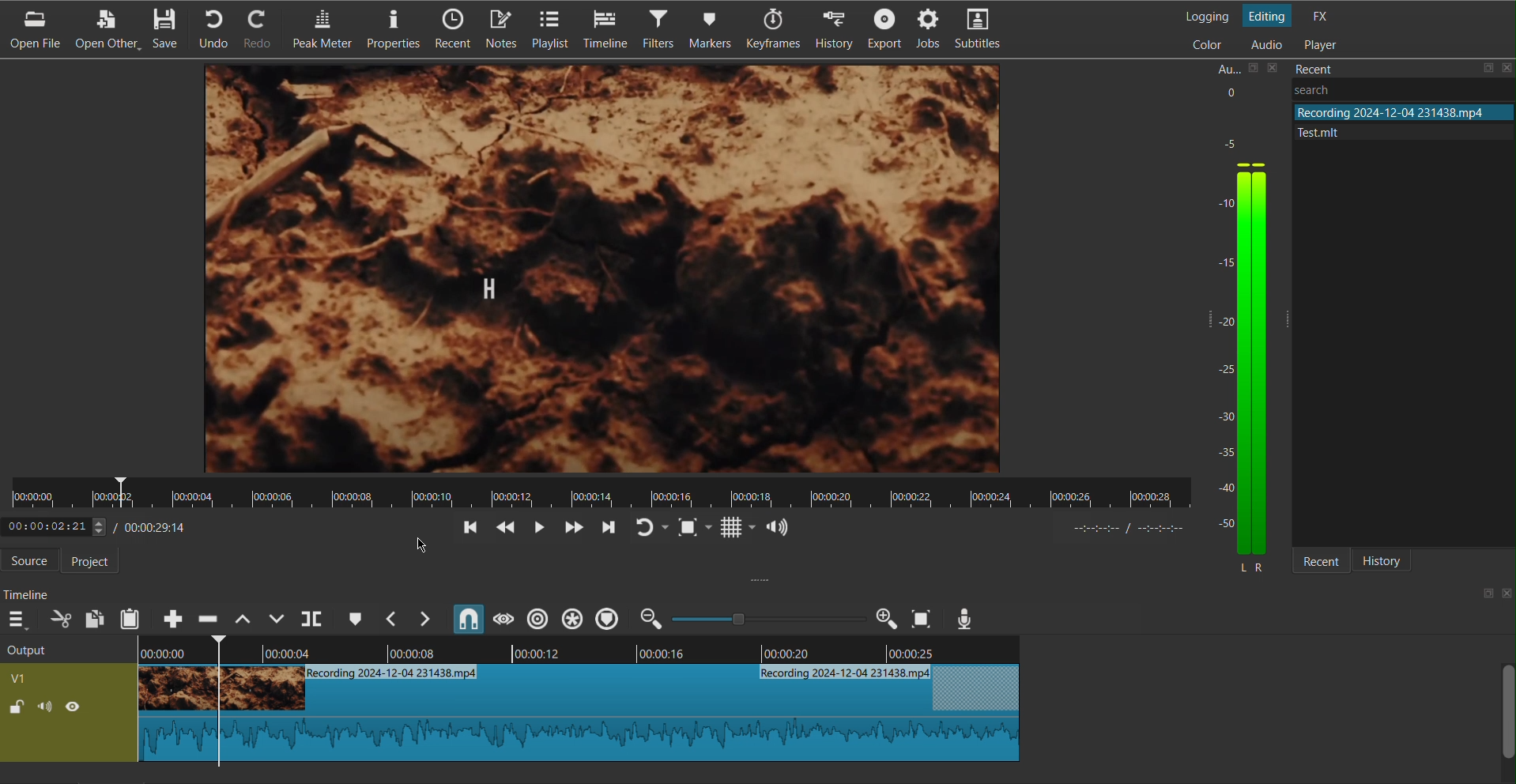 The width and height of the screenshot is (1516, 784). What do you see at coordinates (886, 32) in the screenshot?
I see `Export` at bounding box center [886, 32].